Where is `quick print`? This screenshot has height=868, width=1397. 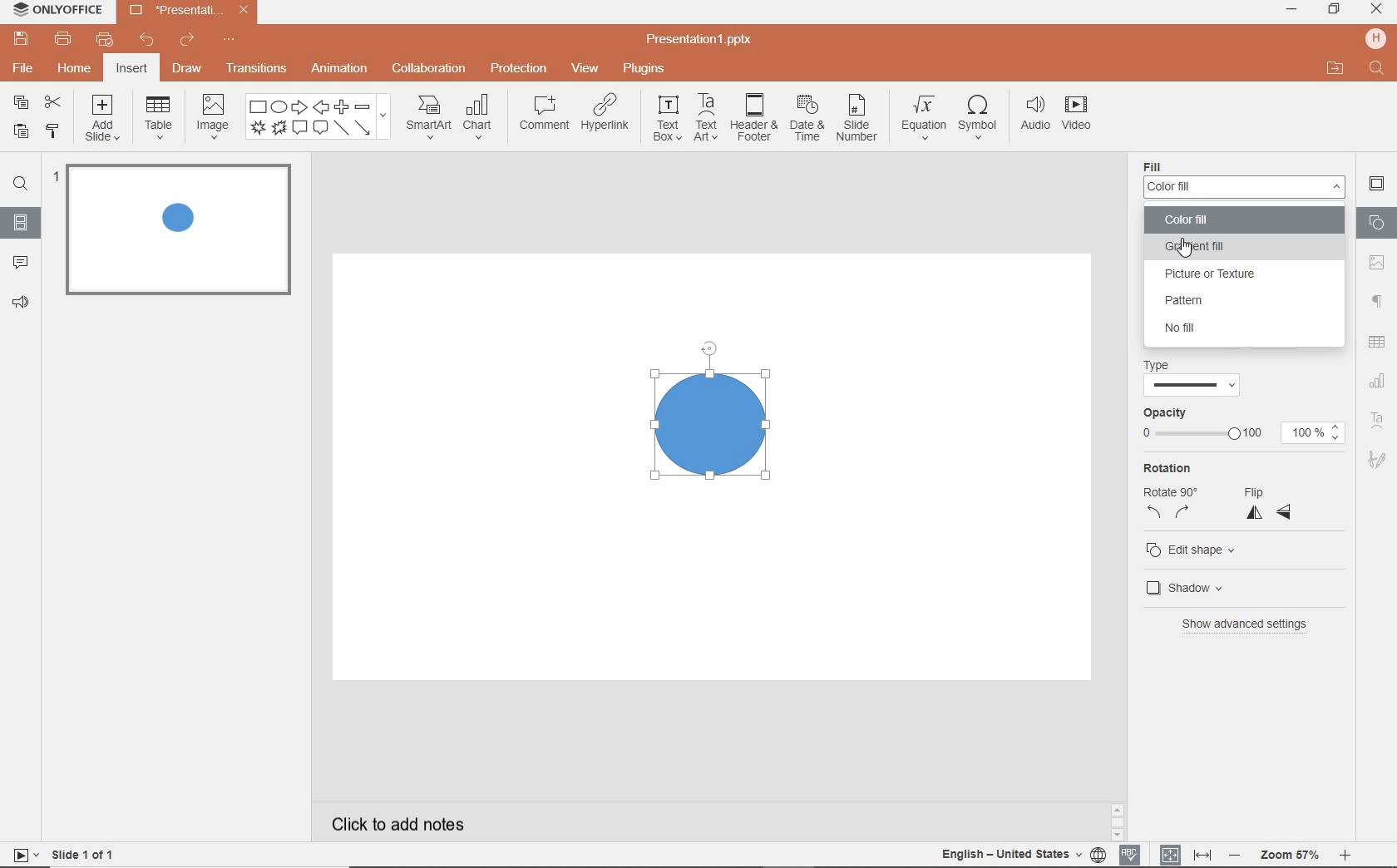 quick print is located at coordinates (108, 38).